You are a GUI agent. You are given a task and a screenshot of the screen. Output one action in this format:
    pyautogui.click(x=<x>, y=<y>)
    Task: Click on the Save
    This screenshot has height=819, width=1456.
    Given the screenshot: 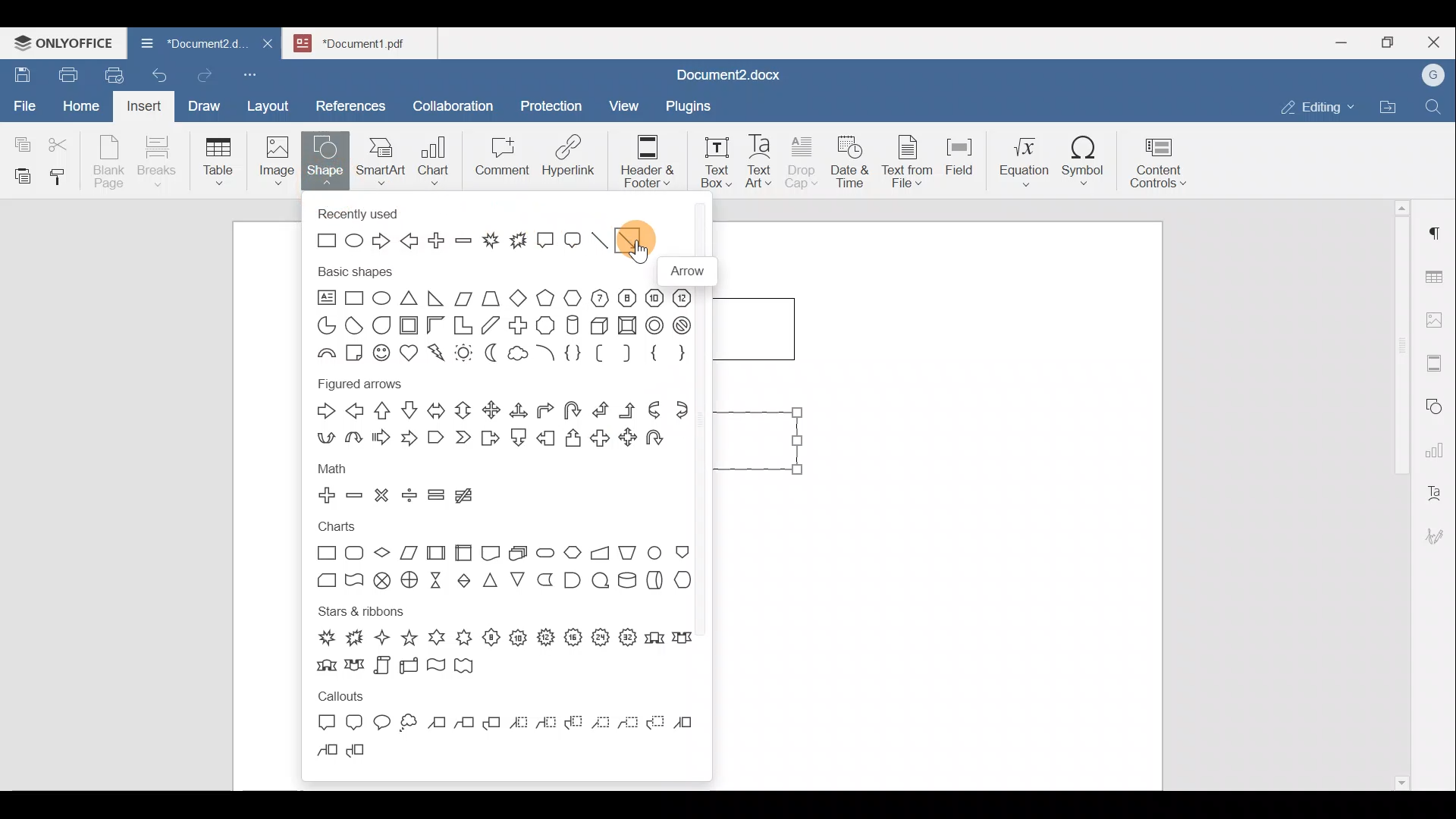 What is the action you would take?
    pyautogui.click(x=21, y=71)
    